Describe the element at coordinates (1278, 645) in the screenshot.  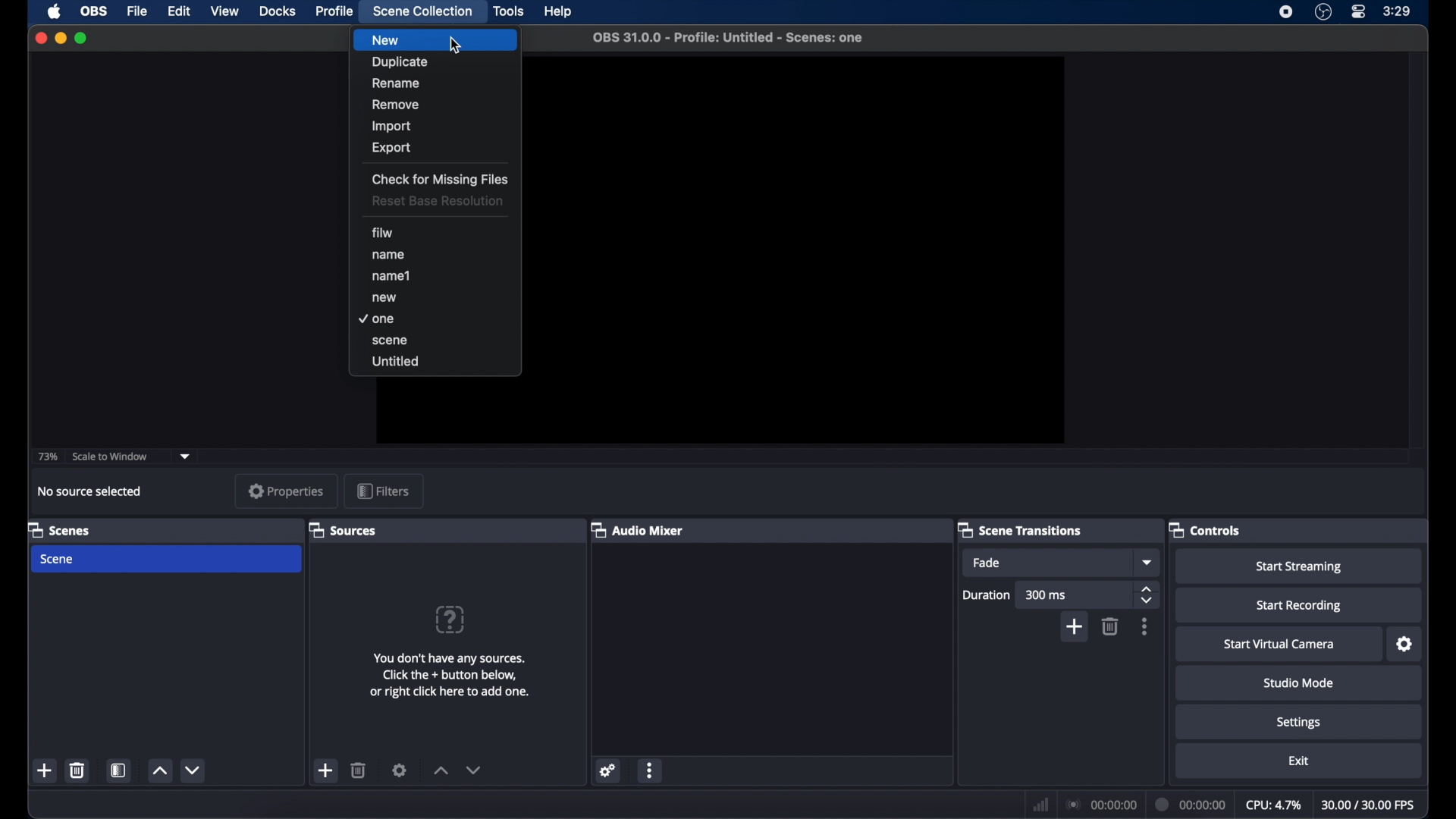
I see `start virtual camera` at that location.